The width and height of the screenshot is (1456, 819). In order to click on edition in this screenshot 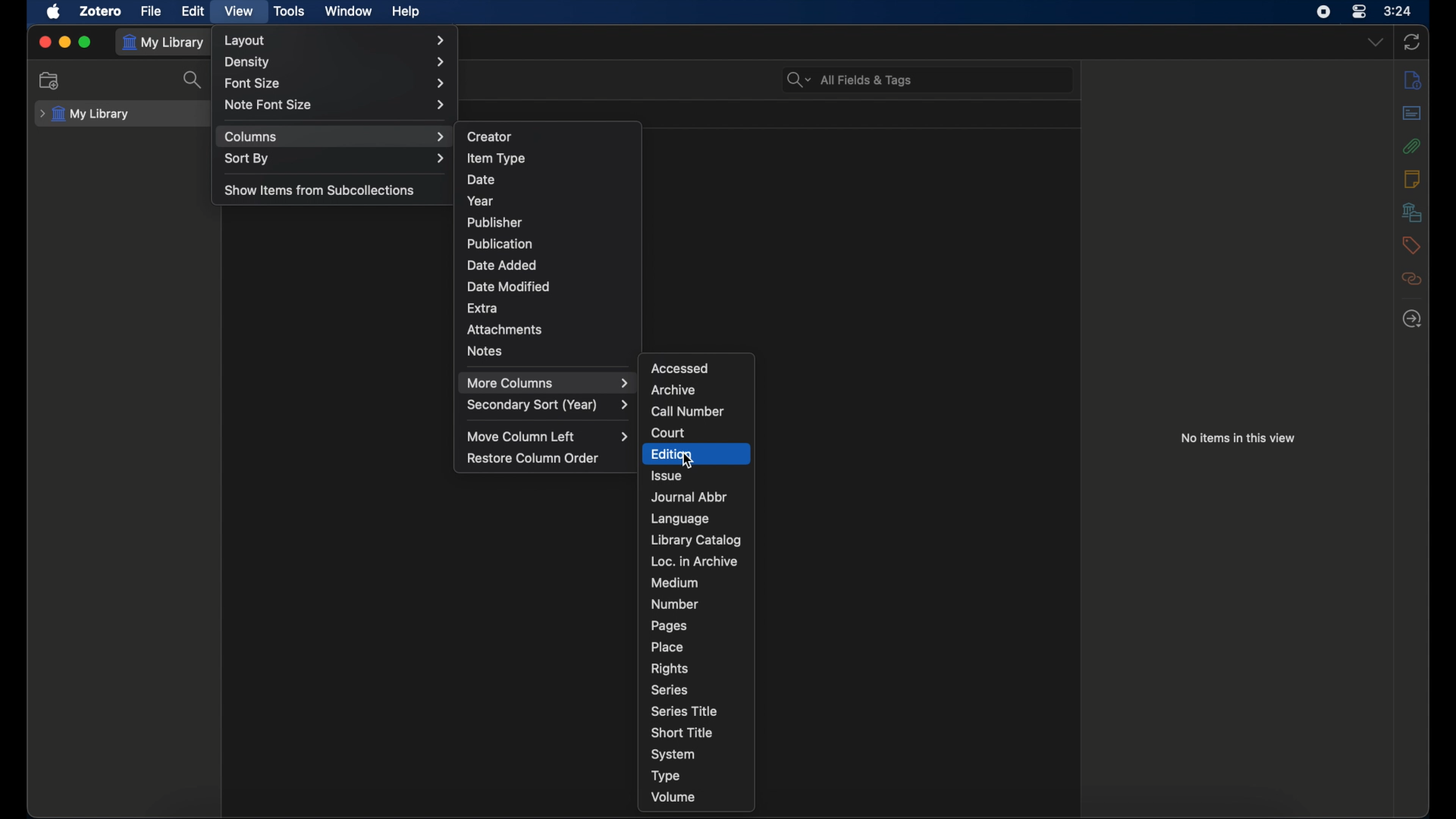, I will do `click(693, 455)`.